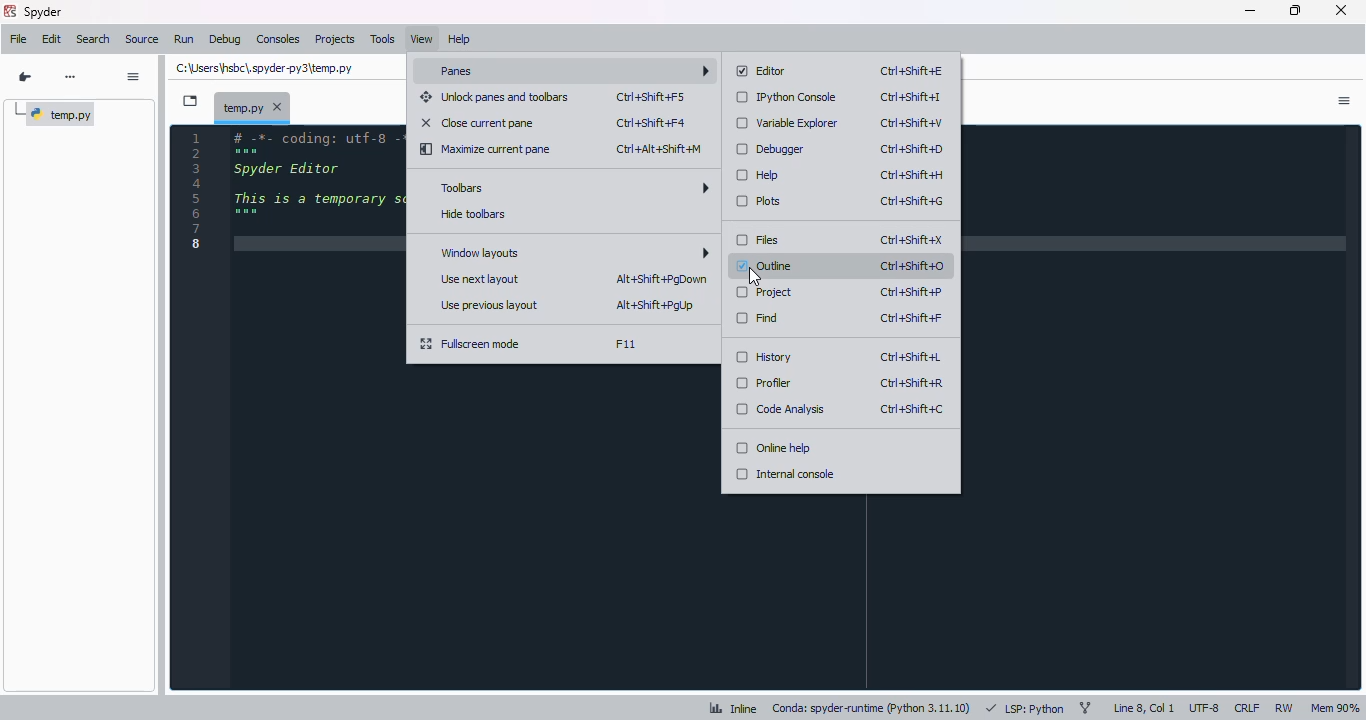  I want to click on minimize, so click(1250, 11).